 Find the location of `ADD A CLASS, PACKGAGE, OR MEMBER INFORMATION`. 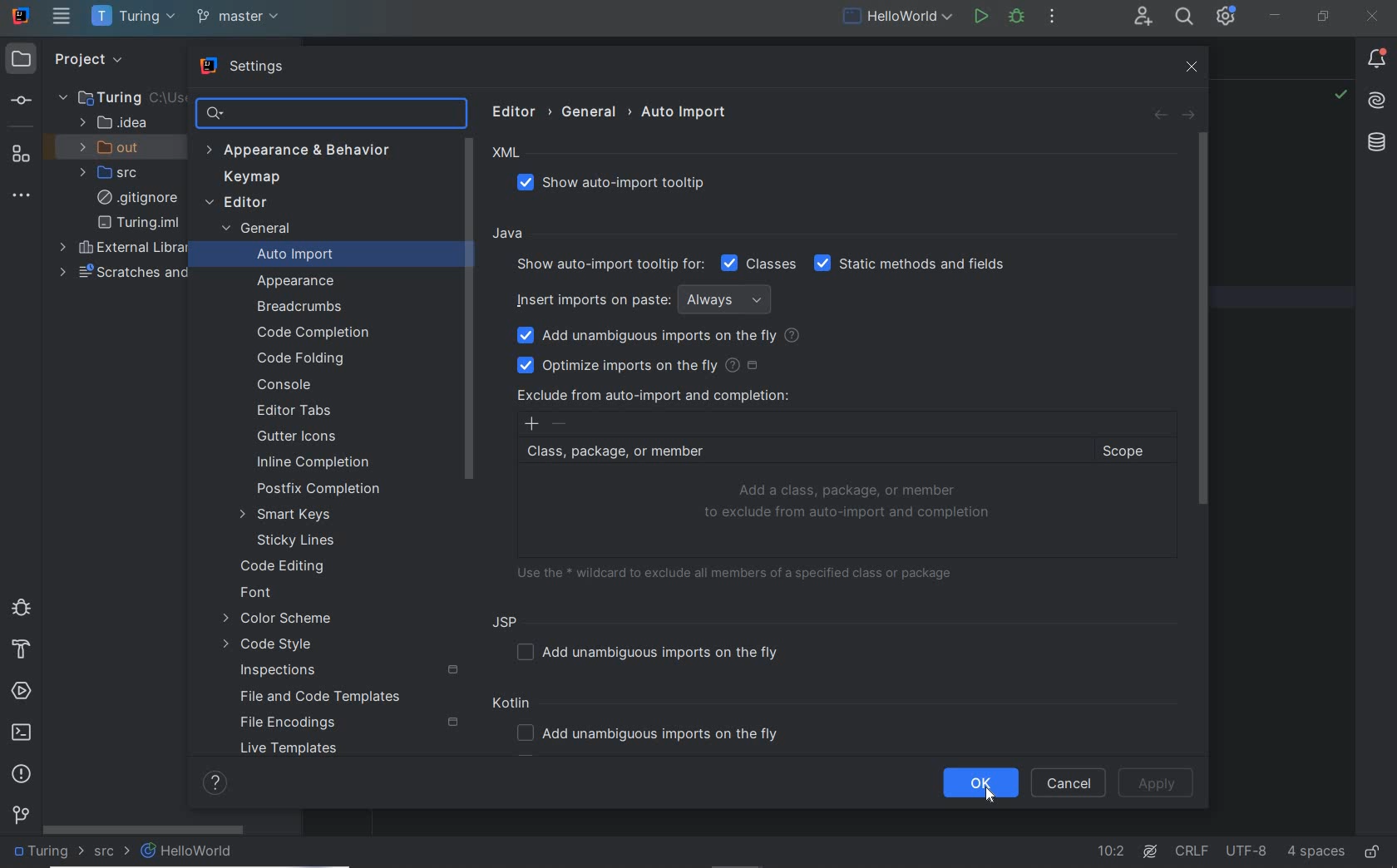

ADD A CLASS, PACKGAGE, OR MEMBER INFORMATION is located at coordinates (850, 502).